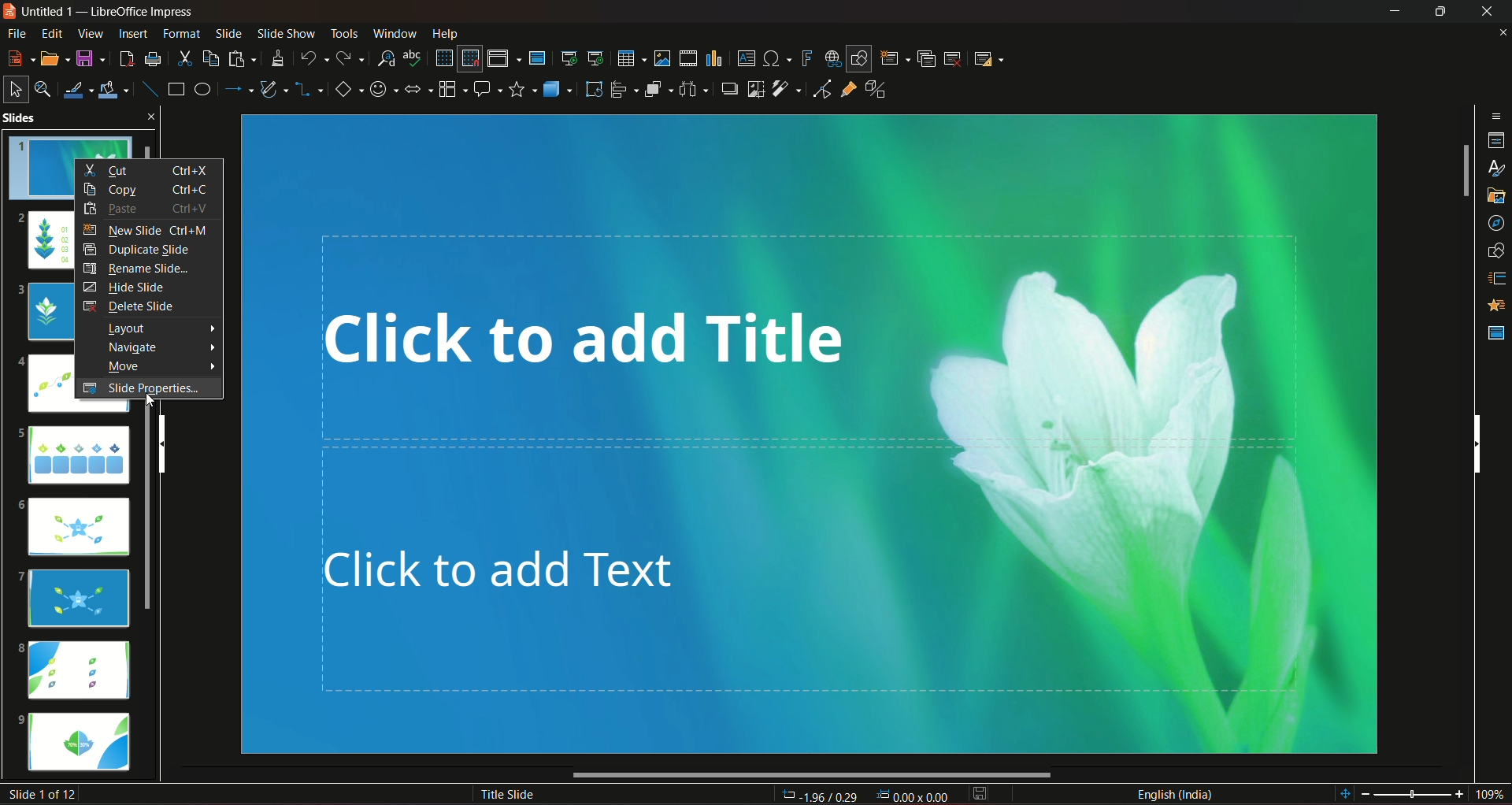  I want to click on basic shapes, so click(347, 90).